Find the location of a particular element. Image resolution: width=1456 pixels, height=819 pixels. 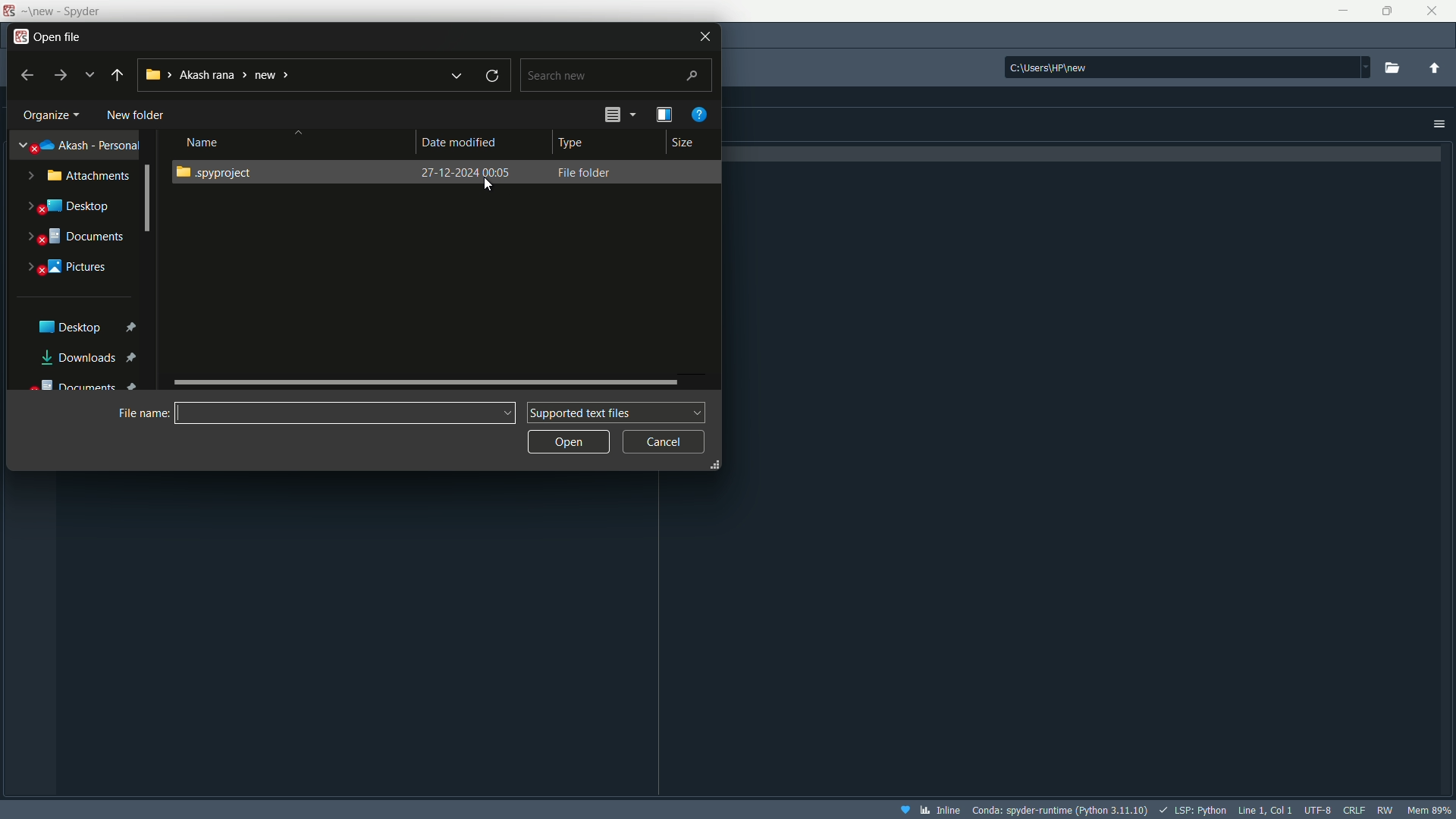

Logo is located at coordinates (9, 11).